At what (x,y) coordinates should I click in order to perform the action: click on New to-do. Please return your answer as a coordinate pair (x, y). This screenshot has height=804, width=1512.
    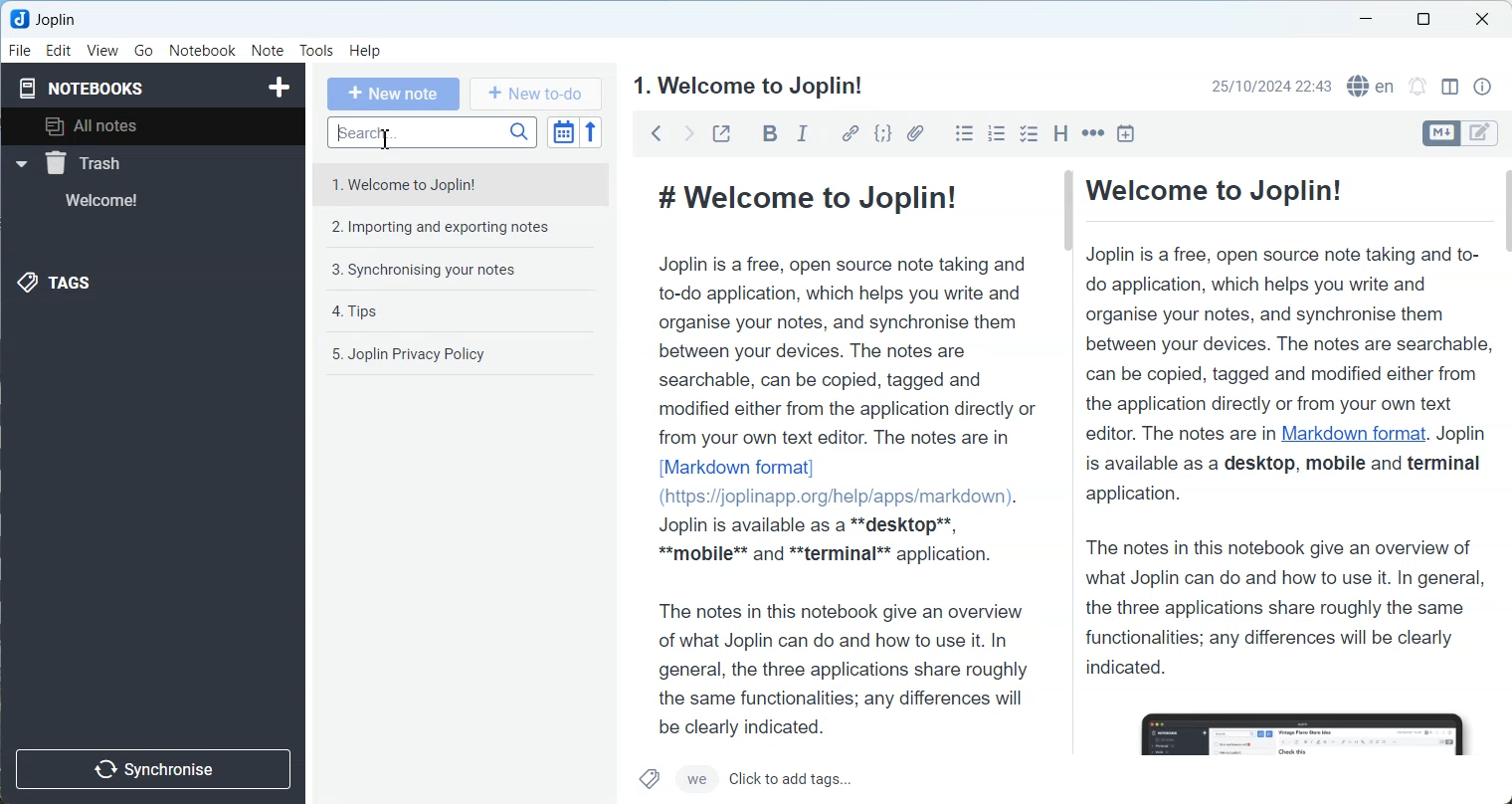
    Looking at the image, I should click on (533, 94).